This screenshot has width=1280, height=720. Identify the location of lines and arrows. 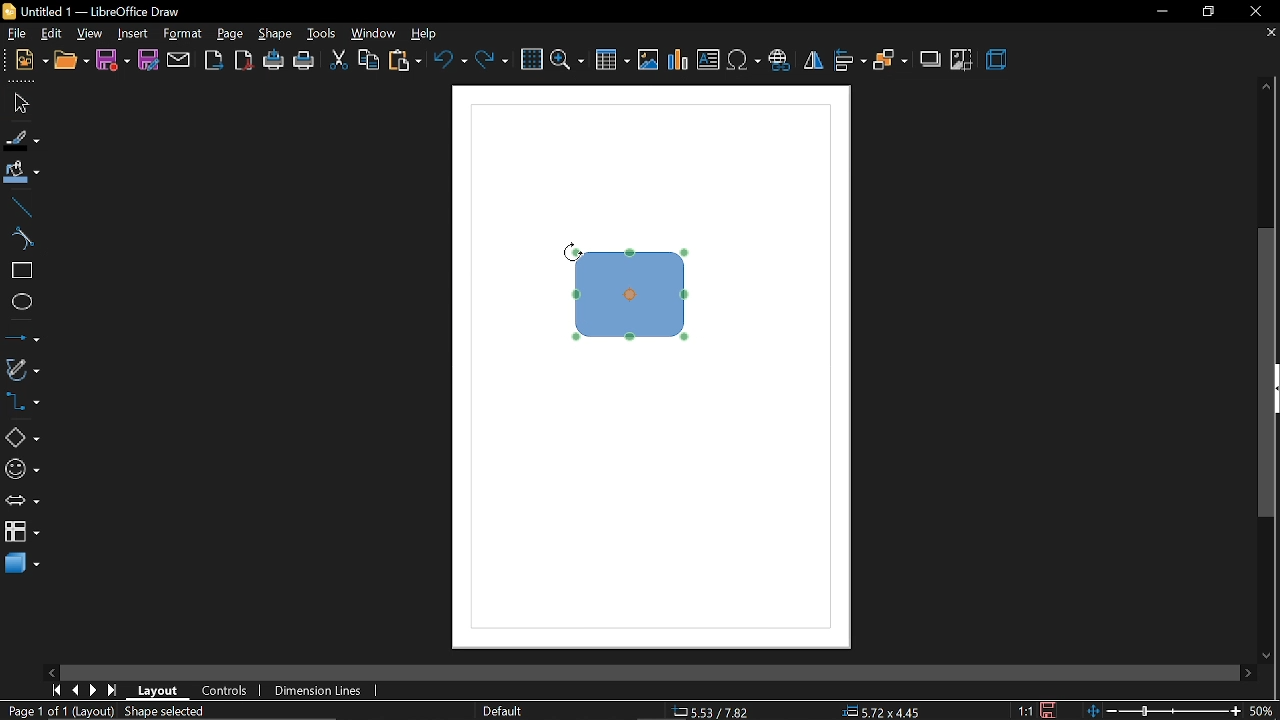
(22, 339).